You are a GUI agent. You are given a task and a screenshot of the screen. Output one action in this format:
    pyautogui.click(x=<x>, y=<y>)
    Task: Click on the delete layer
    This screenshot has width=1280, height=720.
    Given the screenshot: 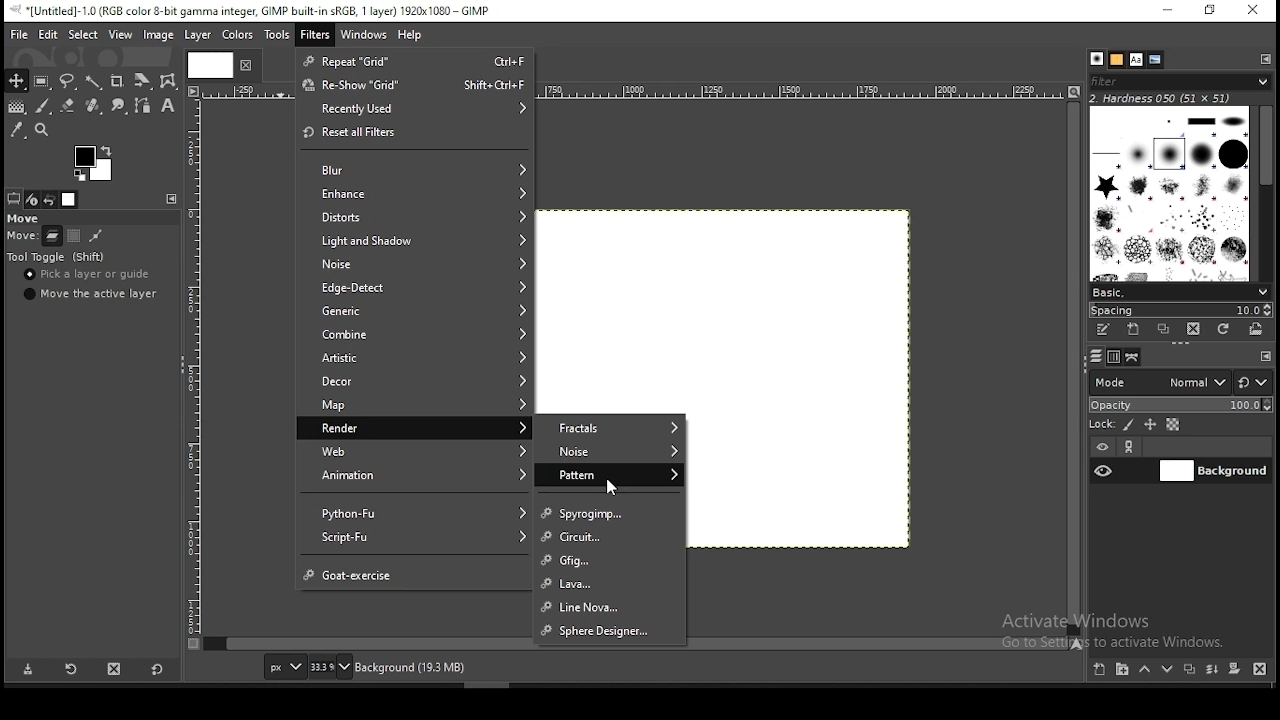 What is the action you would take?
    pyautogui.click(x=1258, y=670)
    